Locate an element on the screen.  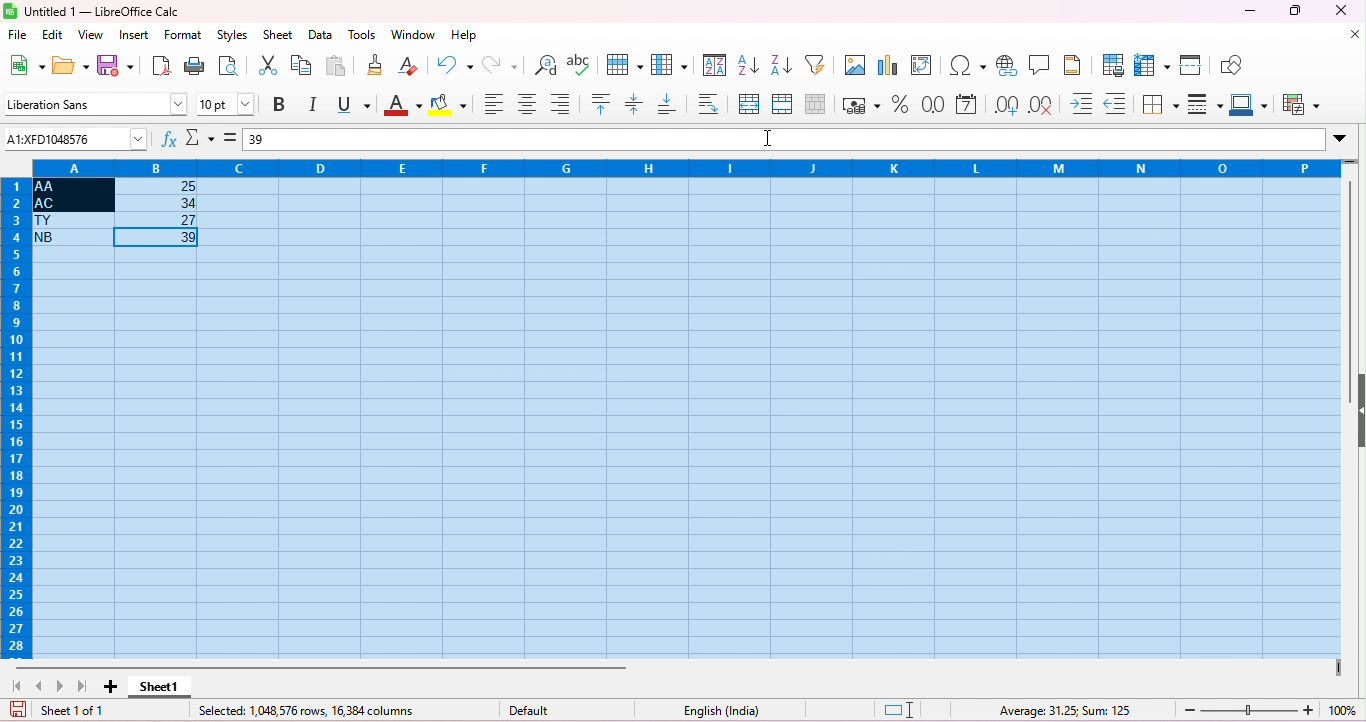
font color is located at coordinates (400, 106).